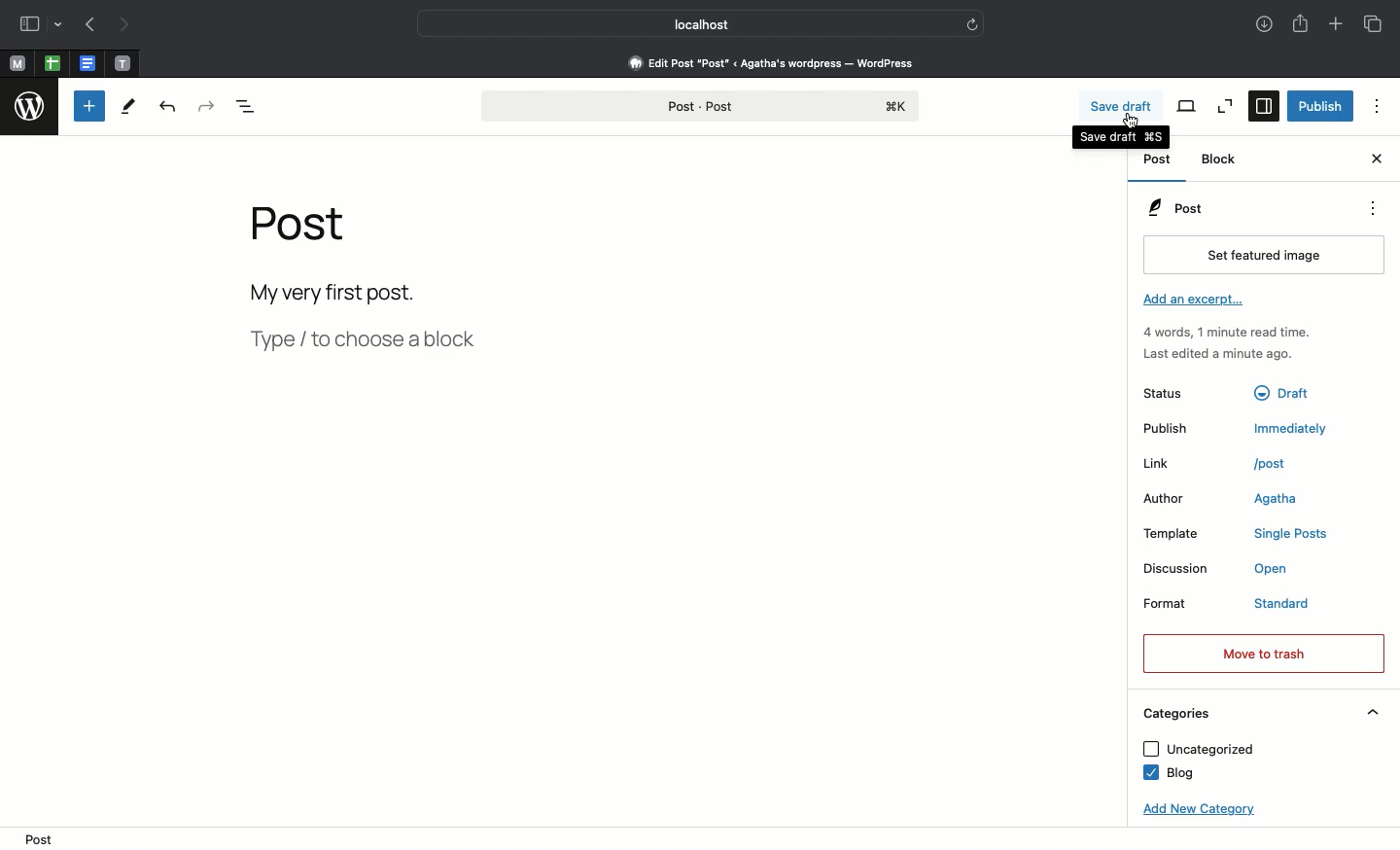 The height and width of the screenshot is (850, 1400). I want to click on Template, so click(1182, 534).